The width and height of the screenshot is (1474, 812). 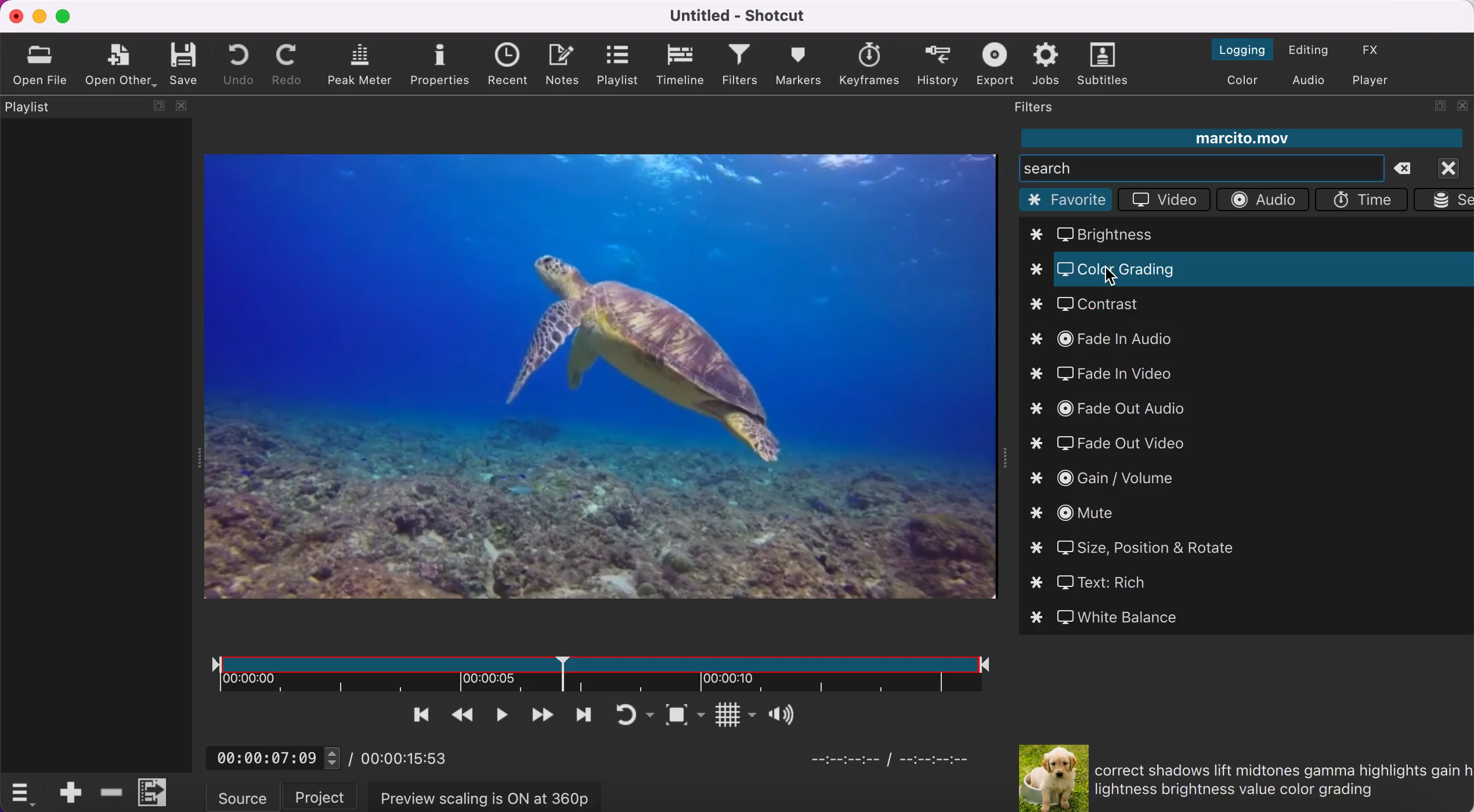 What do you see at coordinates (1380, 79) in the screenshot?
I see `switch to player only layout` at bounding box center [1380, 79].